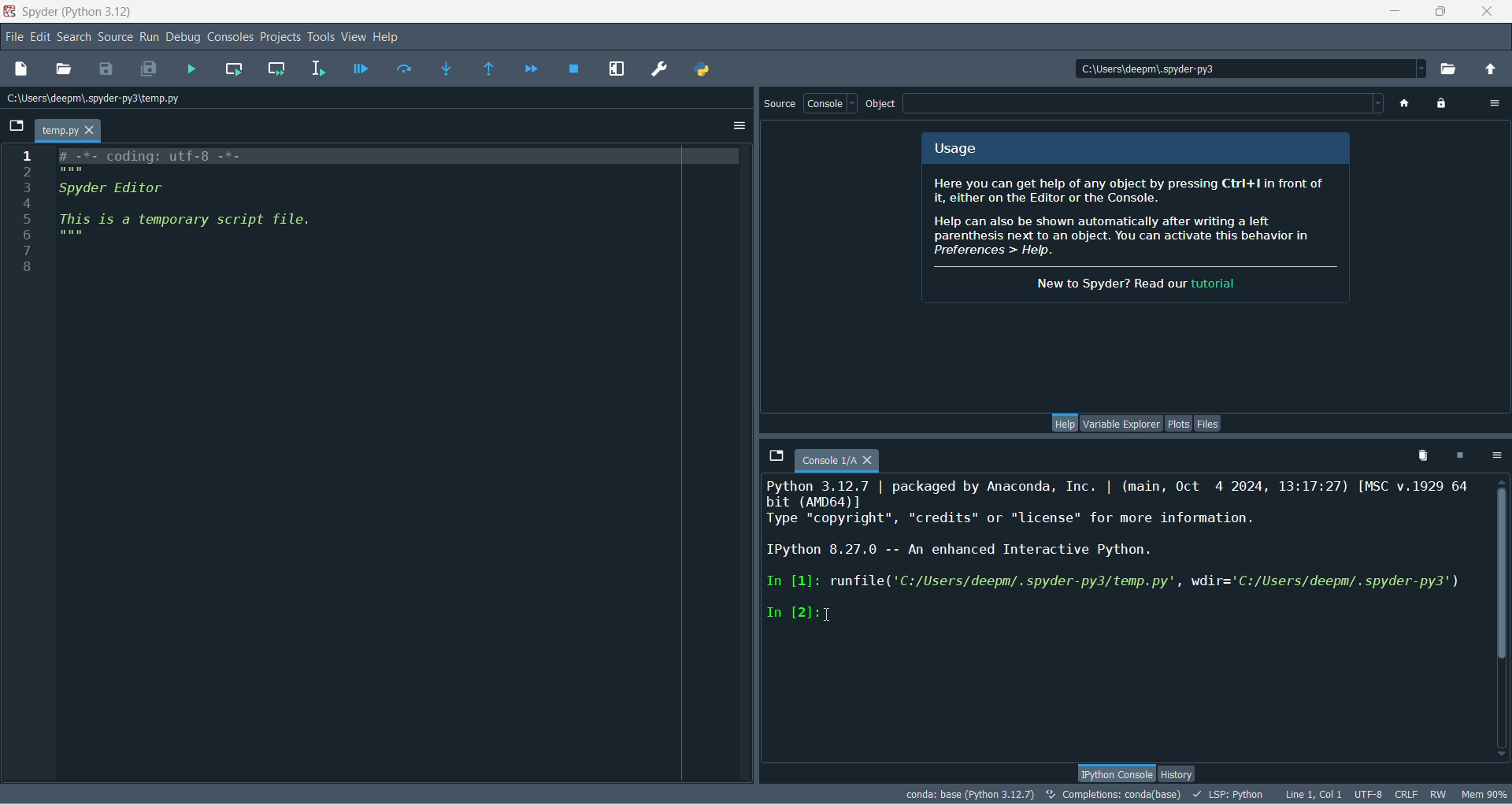 This screenshot has width=1512, height=805. Describe the element at coordinates (1209, 423) in the screenshot. I see `files` at that location.